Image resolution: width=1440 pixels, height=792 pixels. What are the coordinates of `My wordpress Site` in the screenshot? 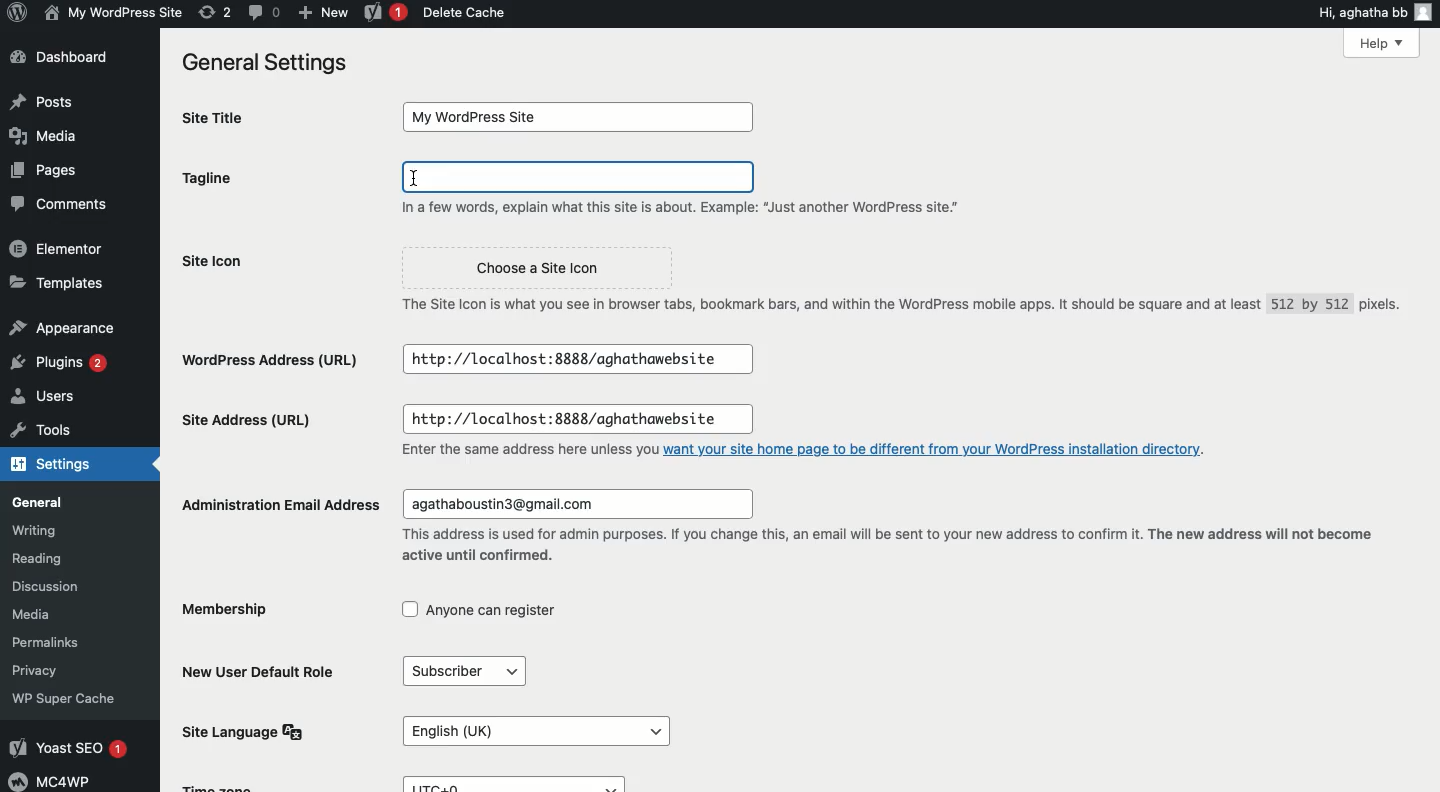 It's located at (111, 12).